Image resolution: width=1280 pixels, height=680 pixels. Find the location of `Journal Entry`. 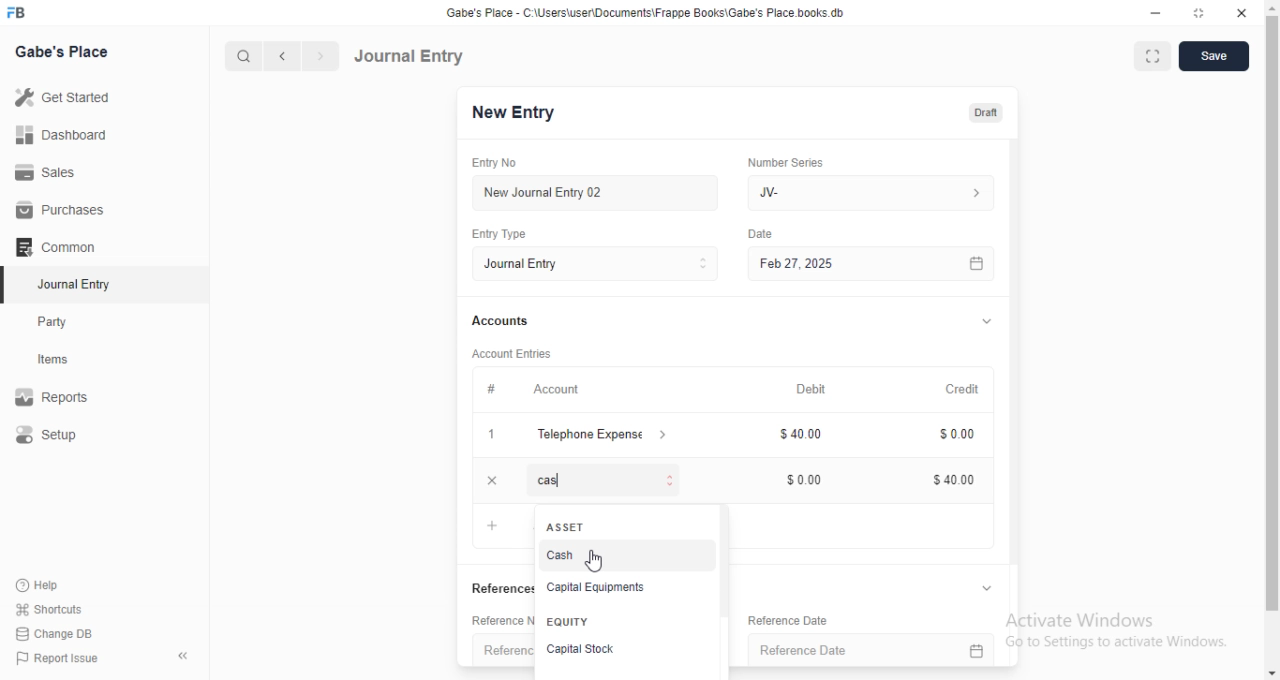

Journal Entry is located at coordinates (70, 284).